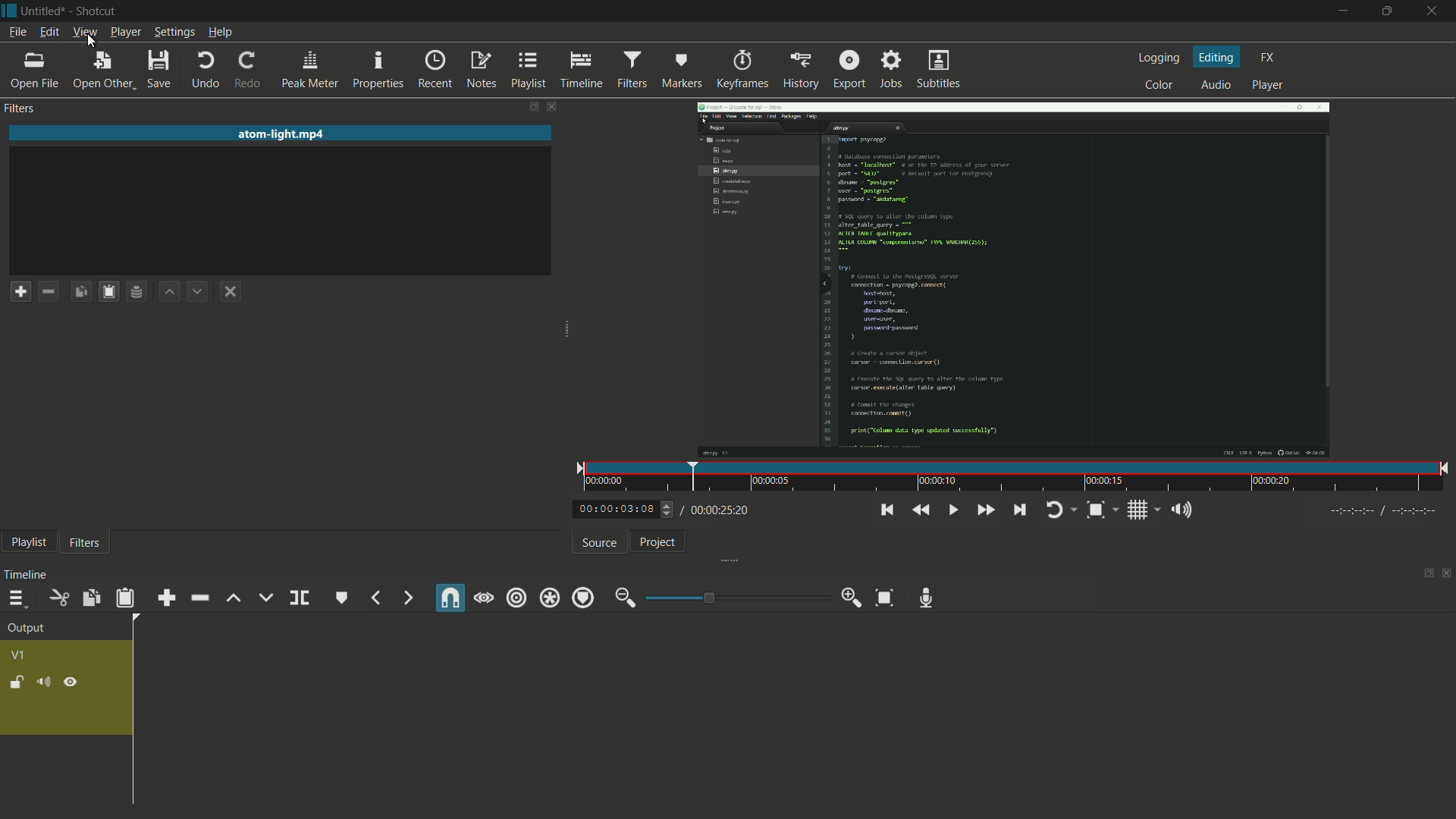 The height and width of the screenshot is (819, 1456). Describe the element at coordinates (1216, 86) in the screenshot. I see `audio` at that location.